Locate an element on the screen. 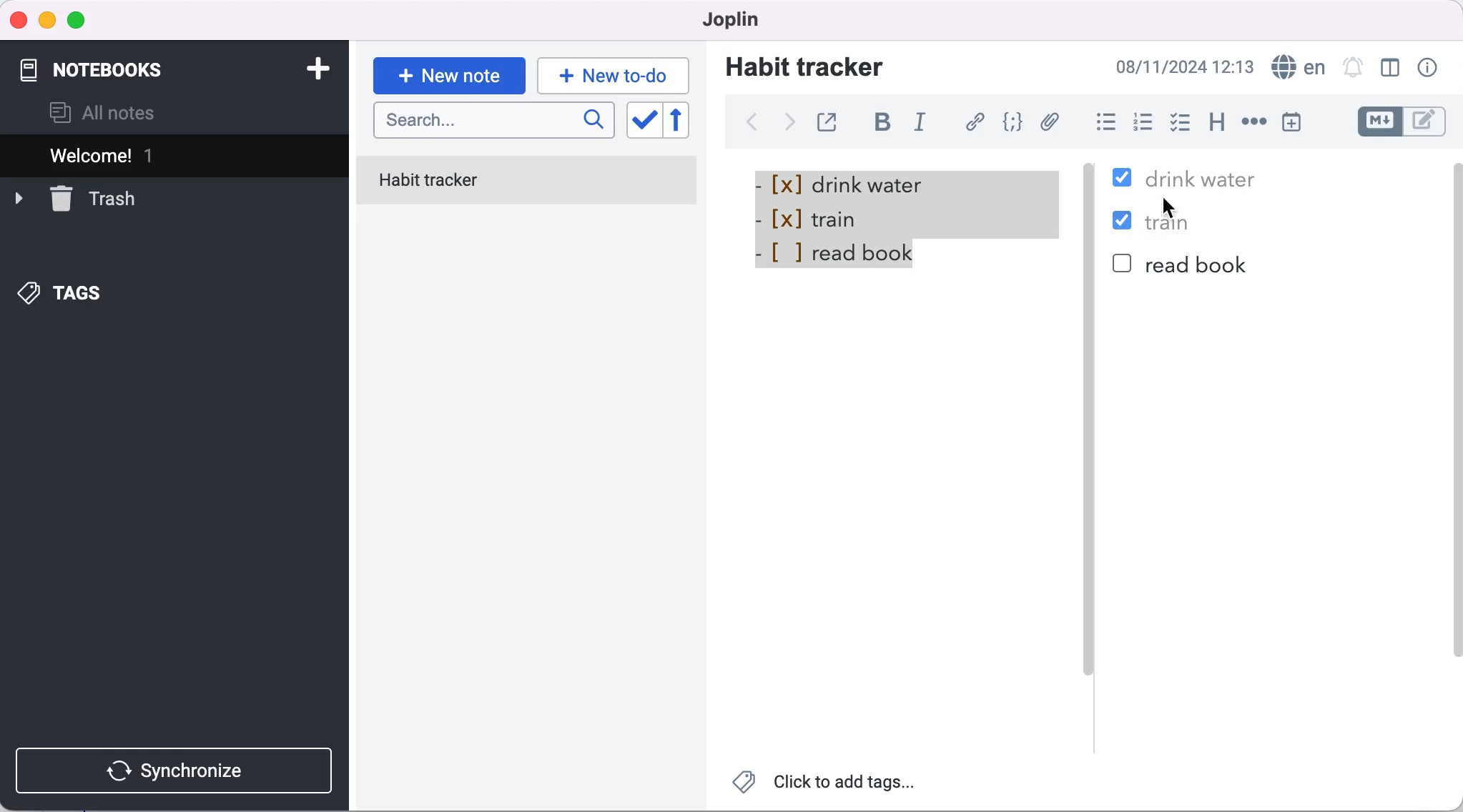 The height and width of the screenshot is (812, 1463). toggle editor layout is located at coordinates (1391, 68).